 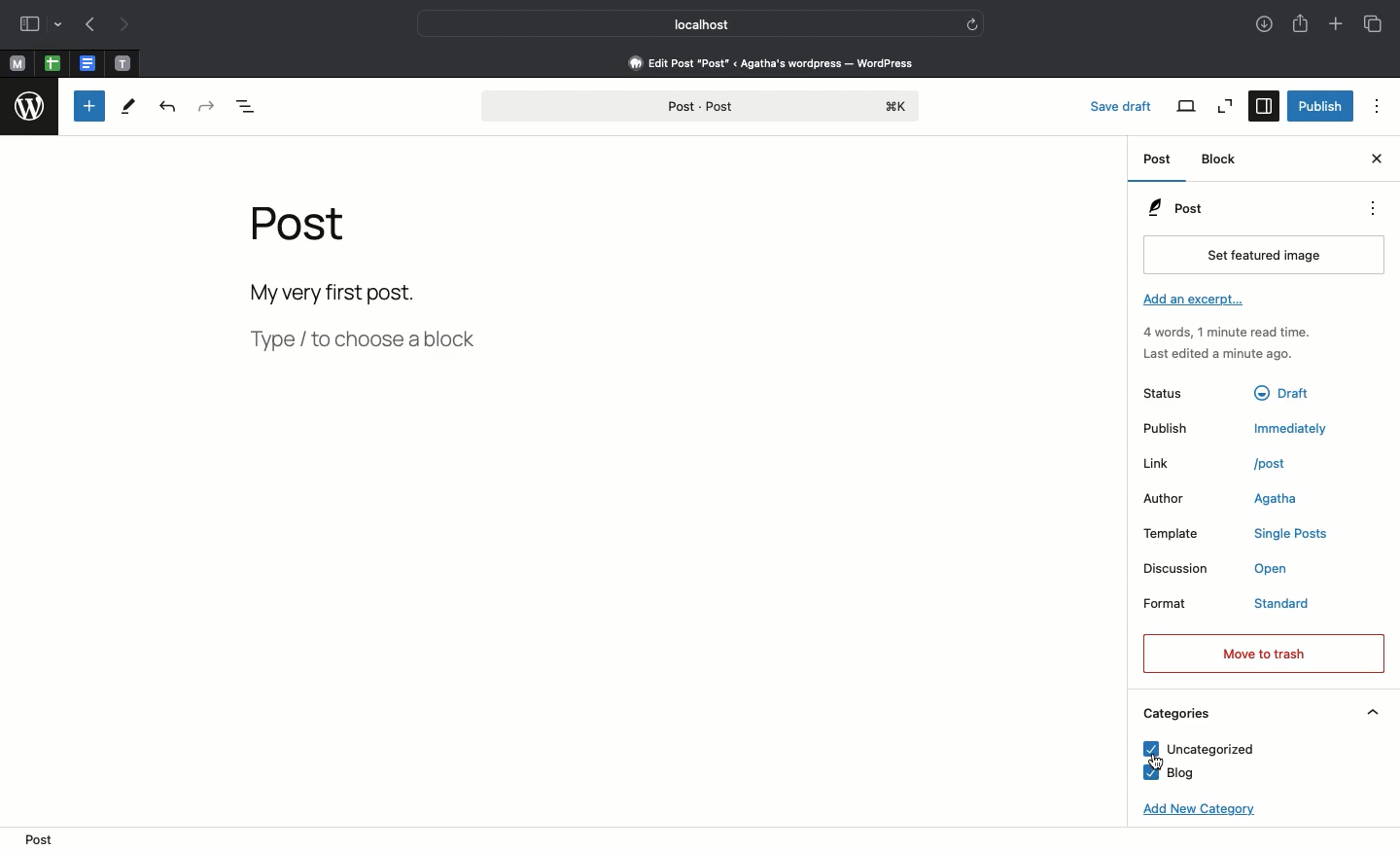 What do you see at coordinates (30, 109) in the screenshot?
I see `Wordpress` at bounding box center [30, 109].